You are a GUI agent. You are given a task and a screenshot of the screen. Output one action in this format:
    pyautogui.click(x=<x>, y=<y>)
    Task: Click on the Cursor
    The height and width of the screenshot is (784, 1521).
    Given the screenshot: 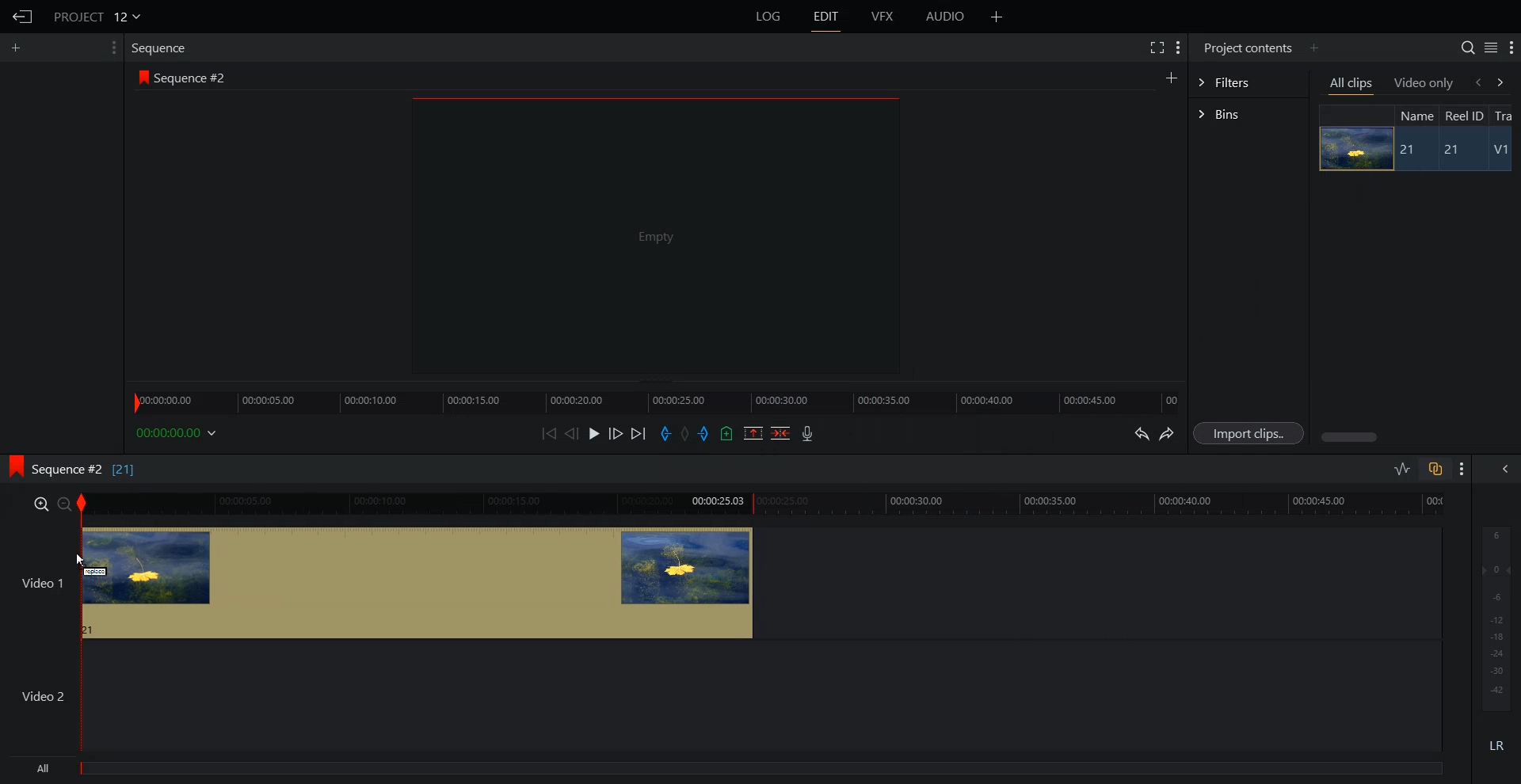 What is the action you would take?
    pyautogui.click(x=82, y=563)
    